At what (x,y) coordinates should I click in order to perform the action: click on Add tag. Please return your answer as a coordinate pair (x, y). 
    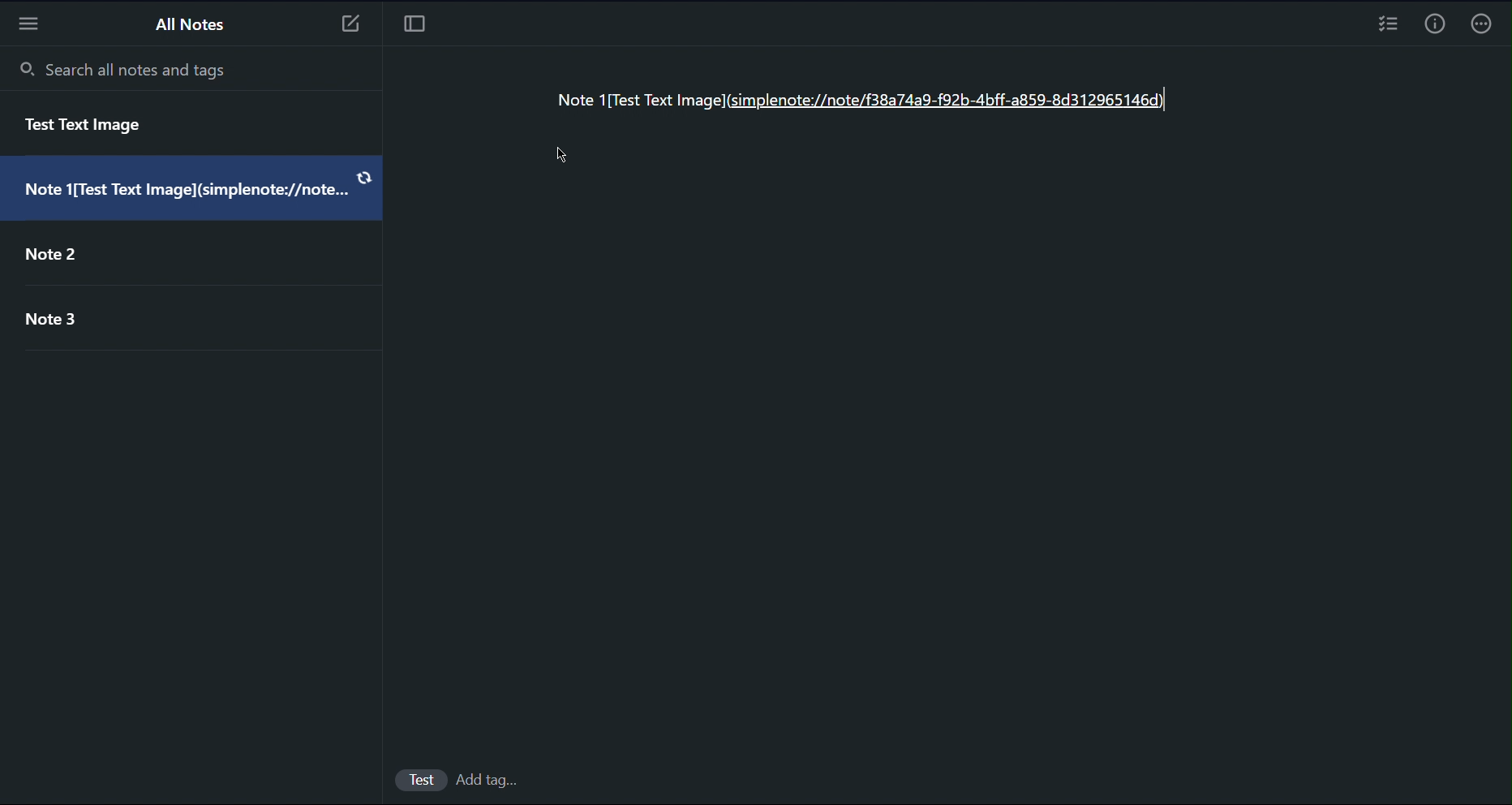
    Looking at the image, I should click on (496, 779).